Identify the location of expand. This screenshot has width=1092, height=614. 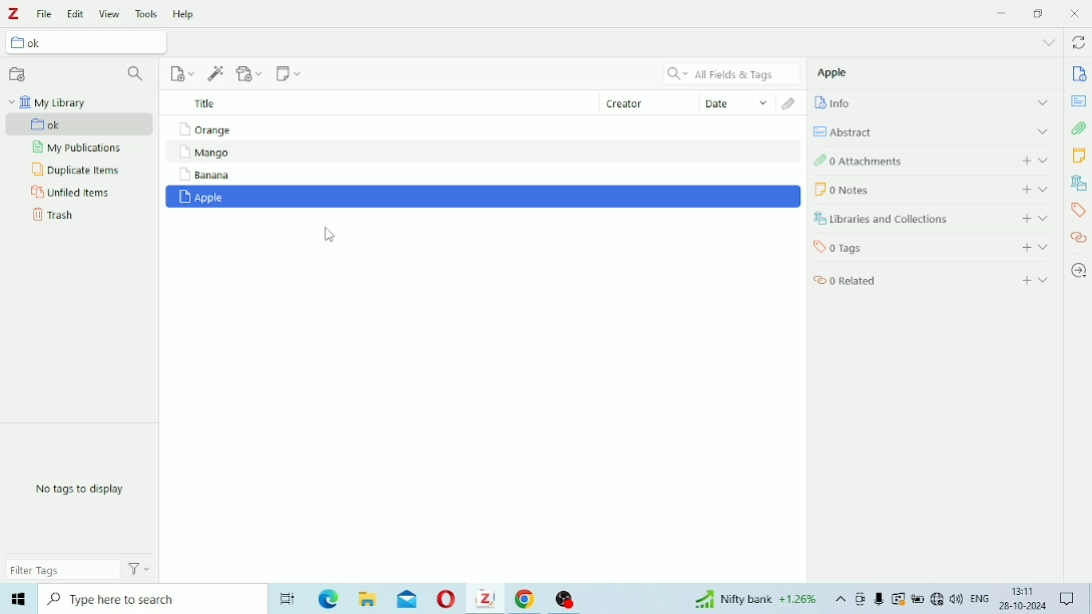
(1044, 246).